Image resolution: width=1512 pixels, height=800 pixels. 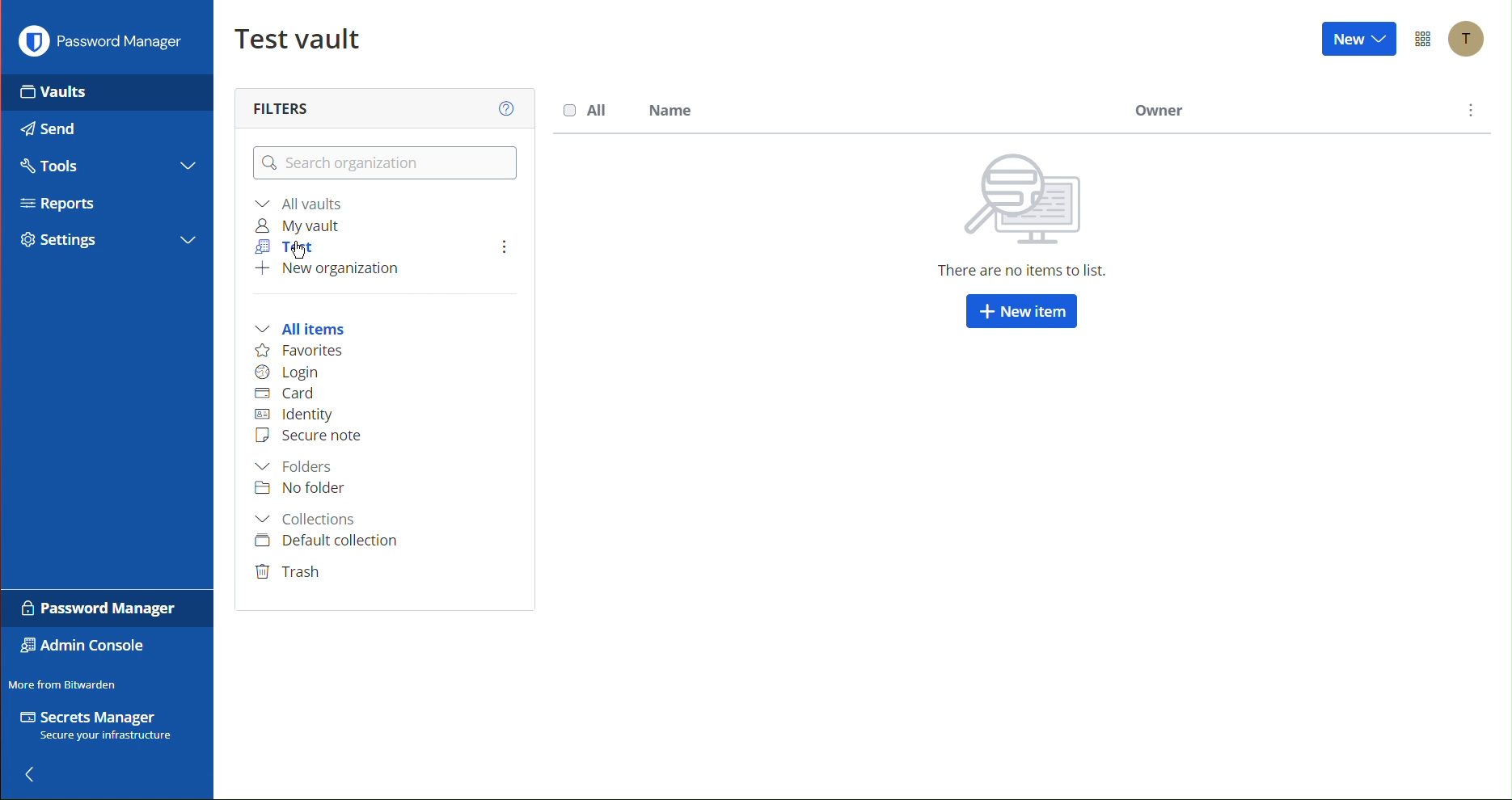 What do you see at coordinates (294, 466) in the screenshot?
I see `Folders` at bounding box center [294, 466].